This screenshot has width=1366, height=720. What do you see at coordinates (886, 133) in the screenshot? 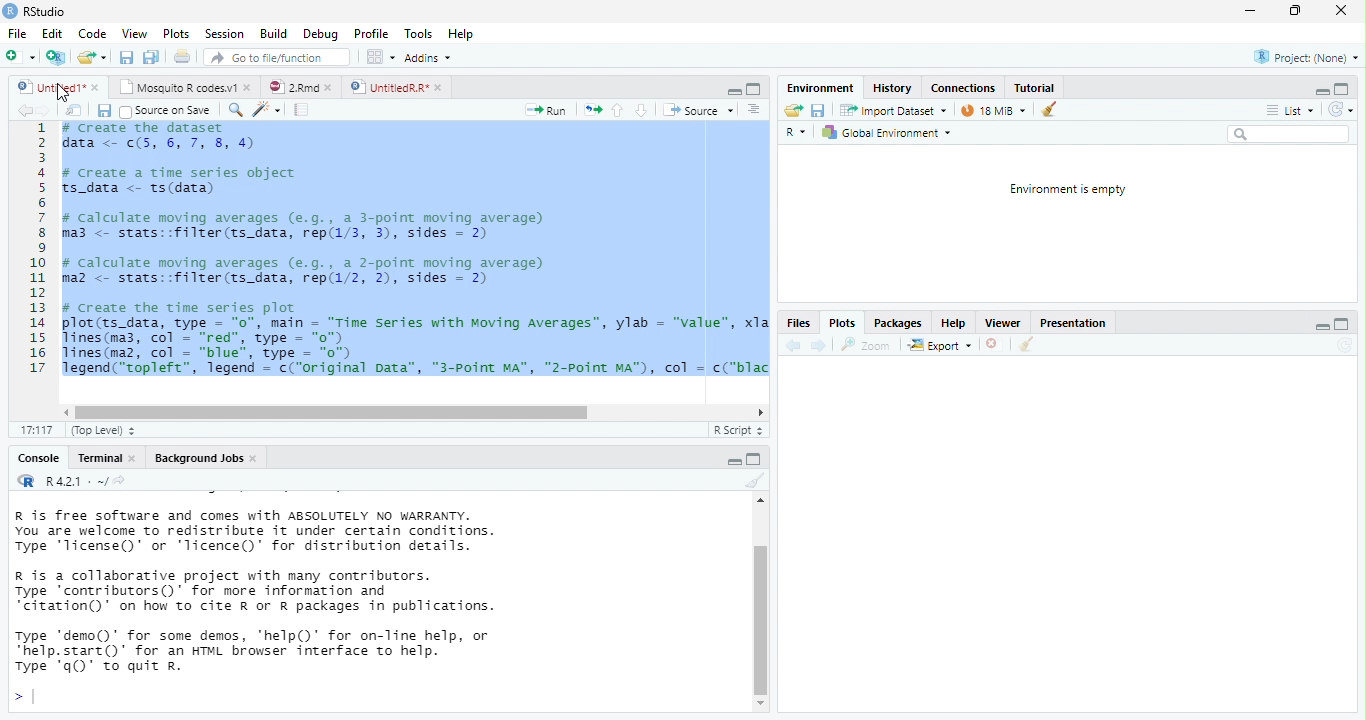
I see `Global Environment` at bounding box center [886, 133].